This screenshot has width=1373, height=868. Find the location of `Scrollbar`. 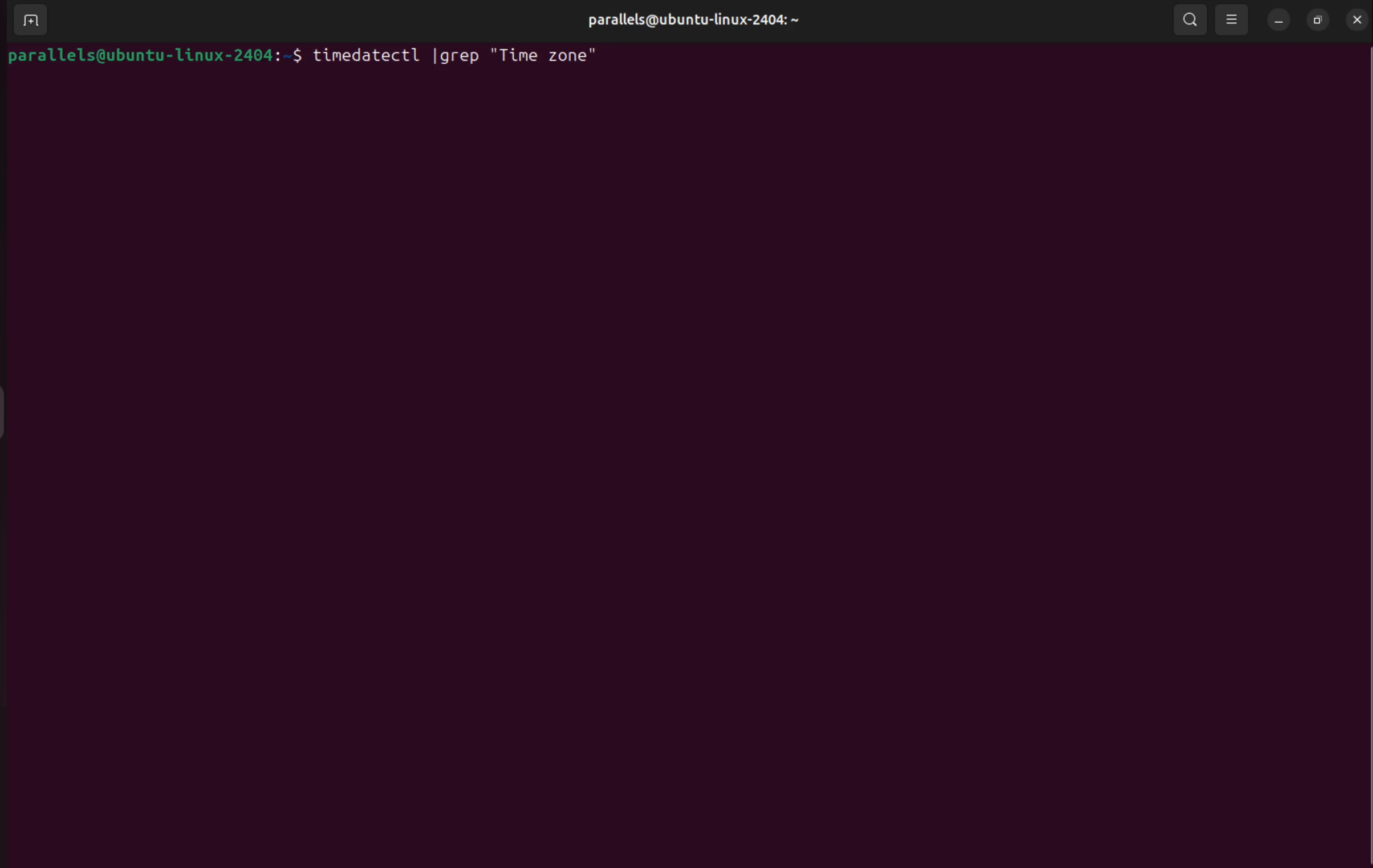

Scrollbar is located at coordinates (1364, 434).